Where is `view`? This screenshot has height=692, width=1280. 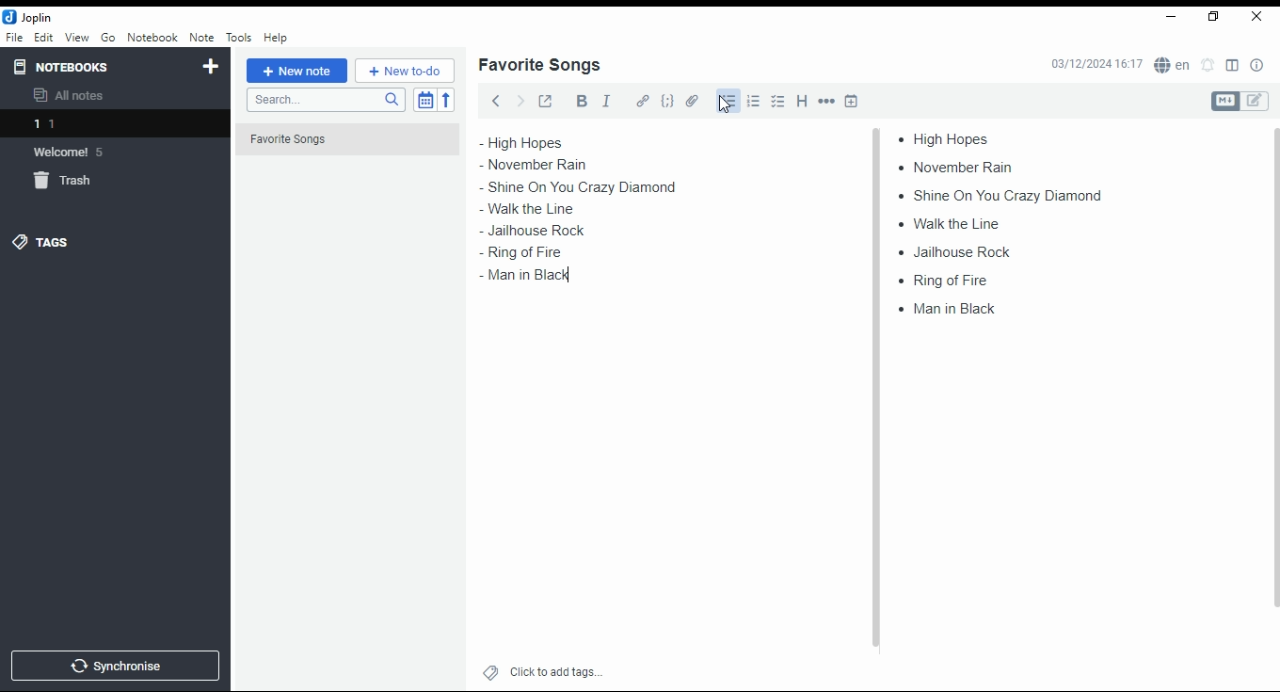
view is located at coordinates (77, 38).